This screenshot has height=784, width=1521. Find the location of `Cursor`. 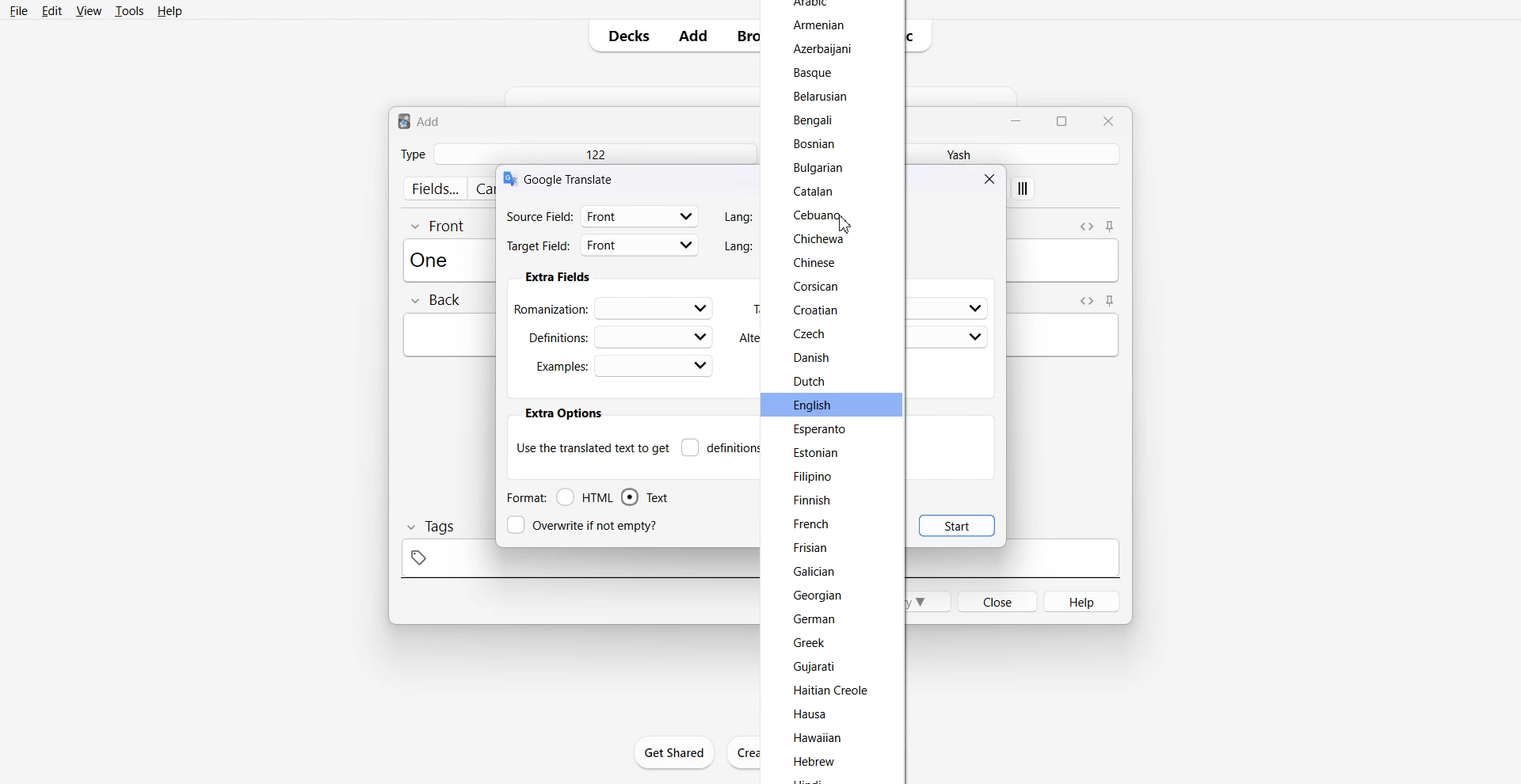

Cursor is located at coordinates (845, 224).